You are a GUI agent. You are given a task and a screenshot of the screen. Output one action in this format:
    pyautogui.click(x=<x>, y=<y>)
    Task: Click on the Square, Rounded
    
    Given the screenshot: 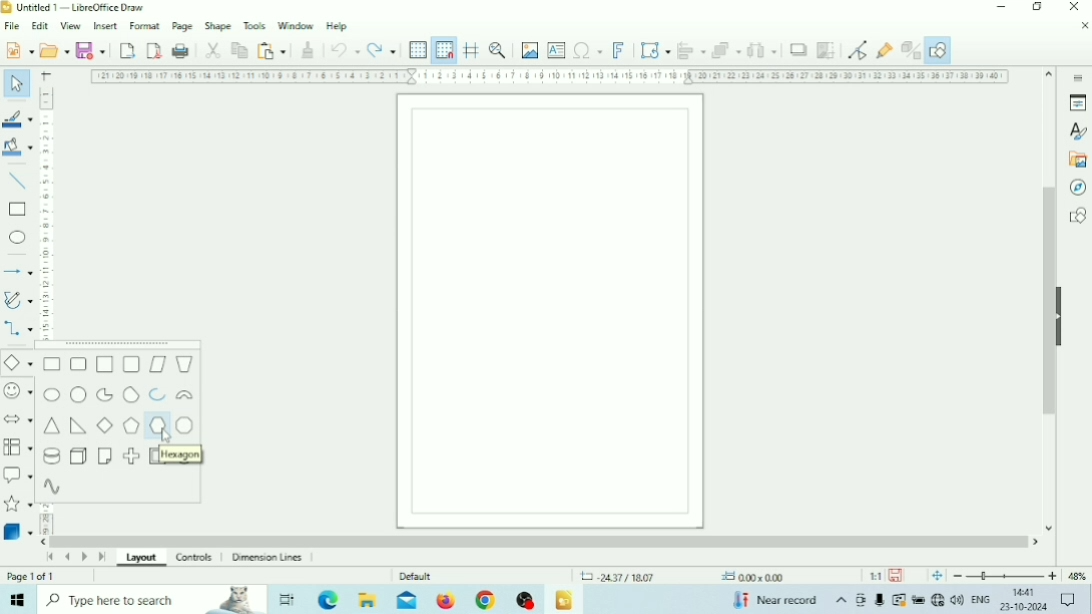 What is the action you would take?
    pyautogui.click(x=131, y=364)
    